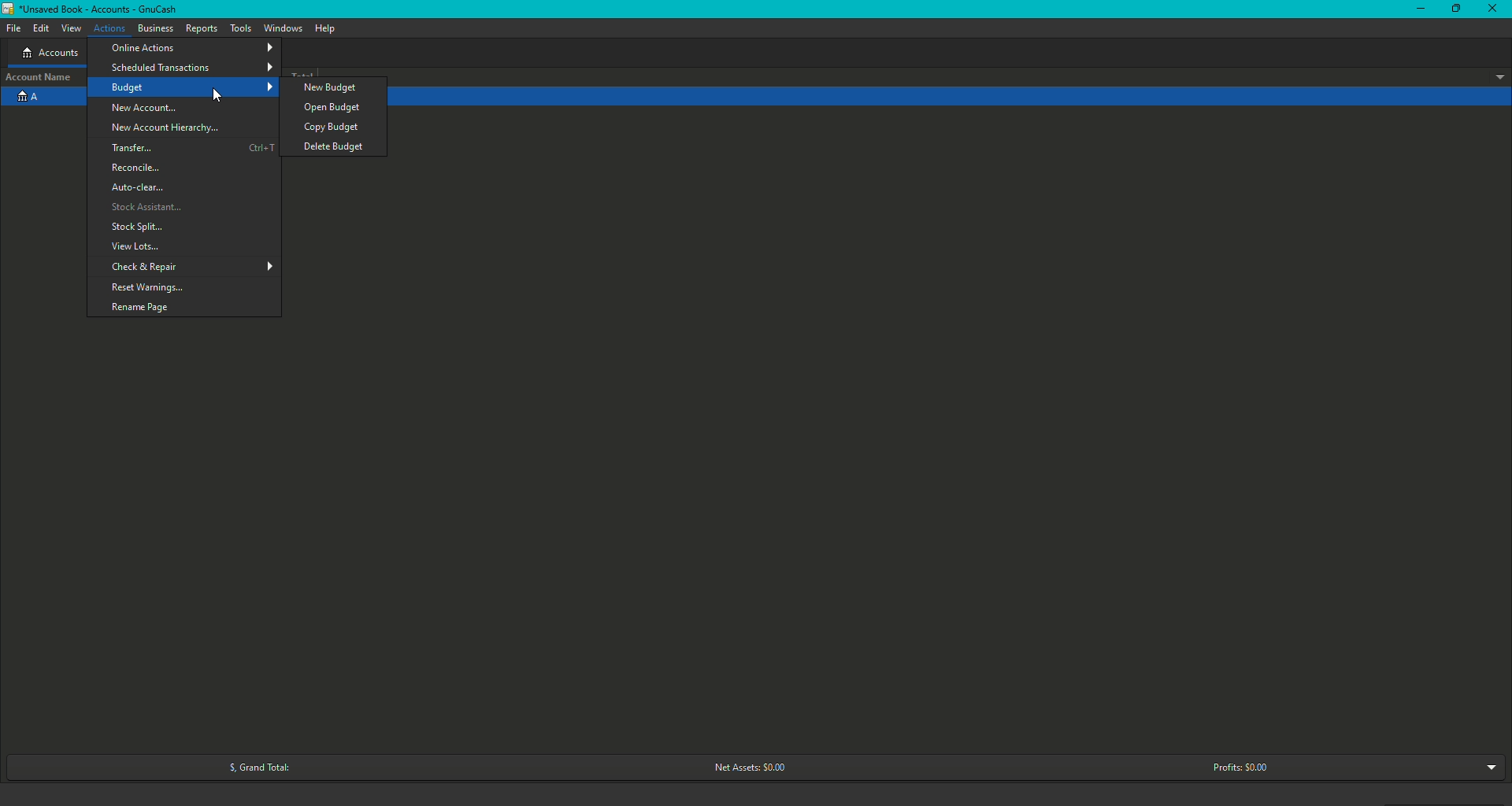  I want to click on Online Actions, so click(192, 48).